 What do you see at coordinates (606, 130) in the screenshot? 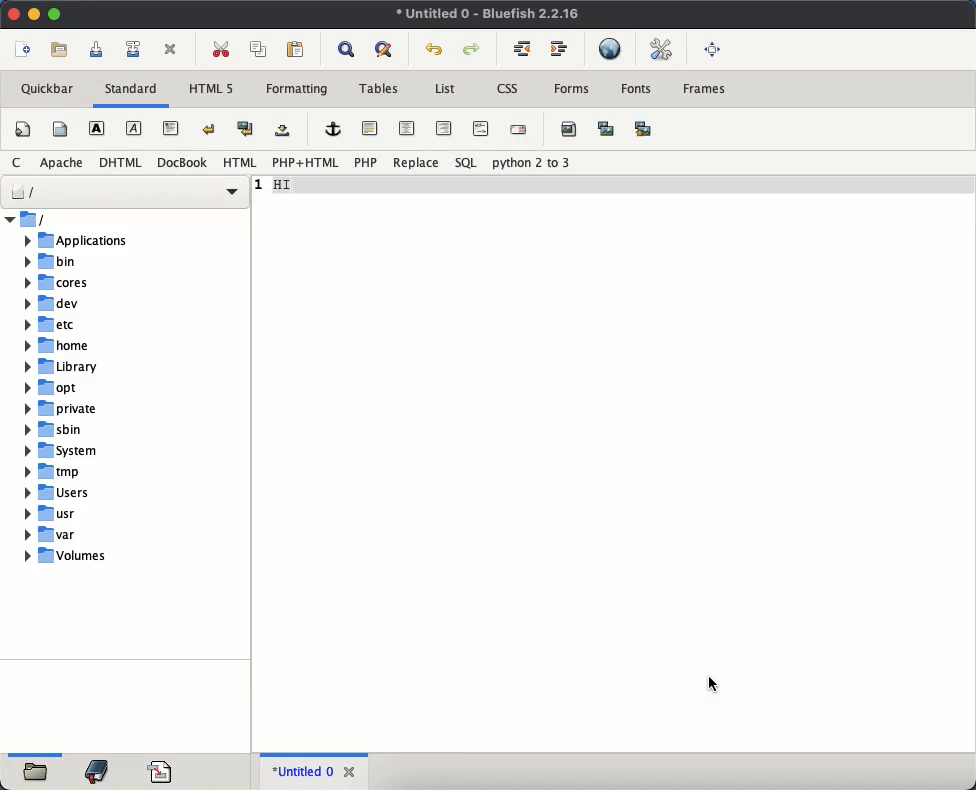
I see `insert thumbnail` at bounding box center [606, 130].